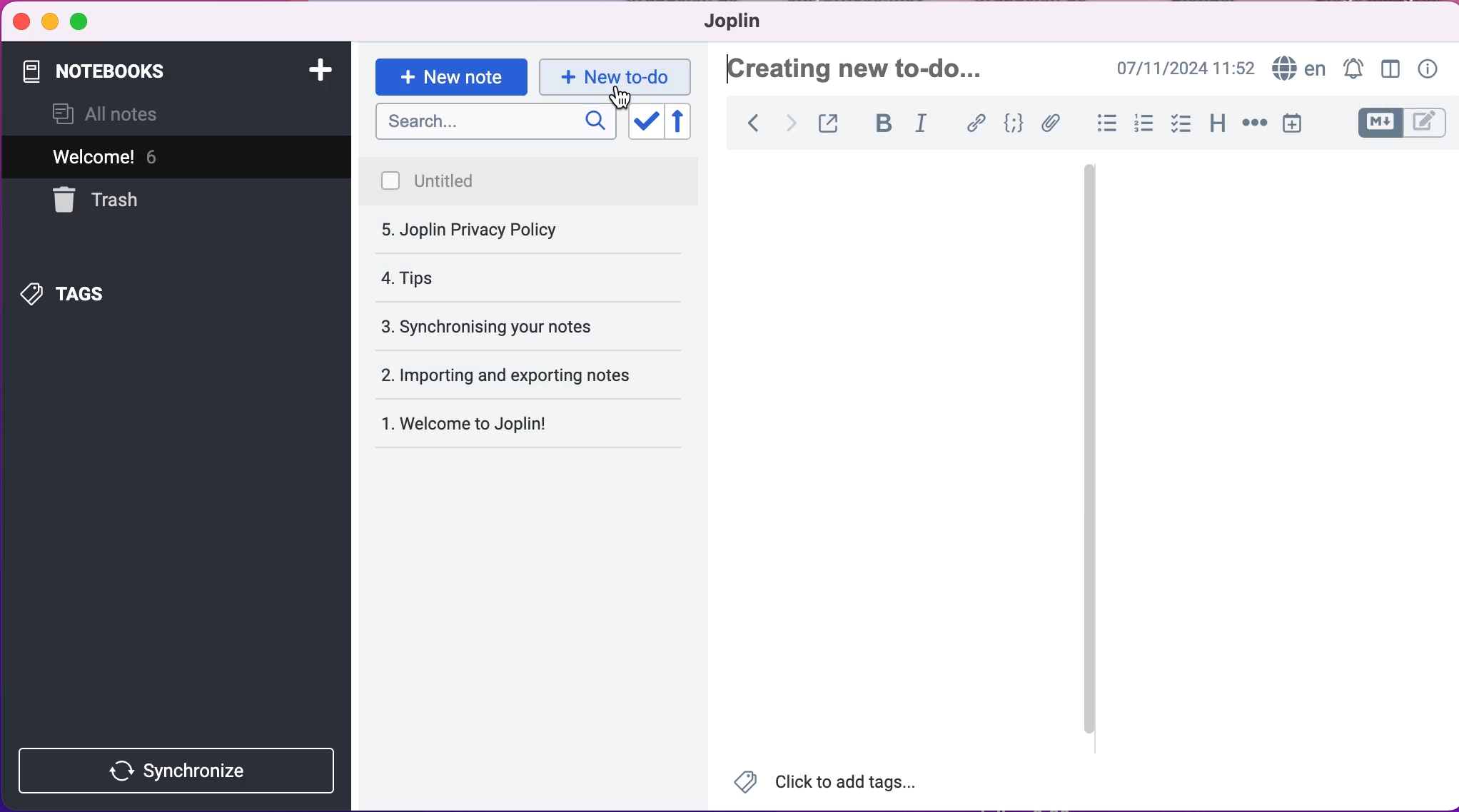 The width and height of the screenshot is (1459, 812). What do you see at coordinates (1011, 124) in the screenshot?
I see `code` at bounding box center [1011, 124].